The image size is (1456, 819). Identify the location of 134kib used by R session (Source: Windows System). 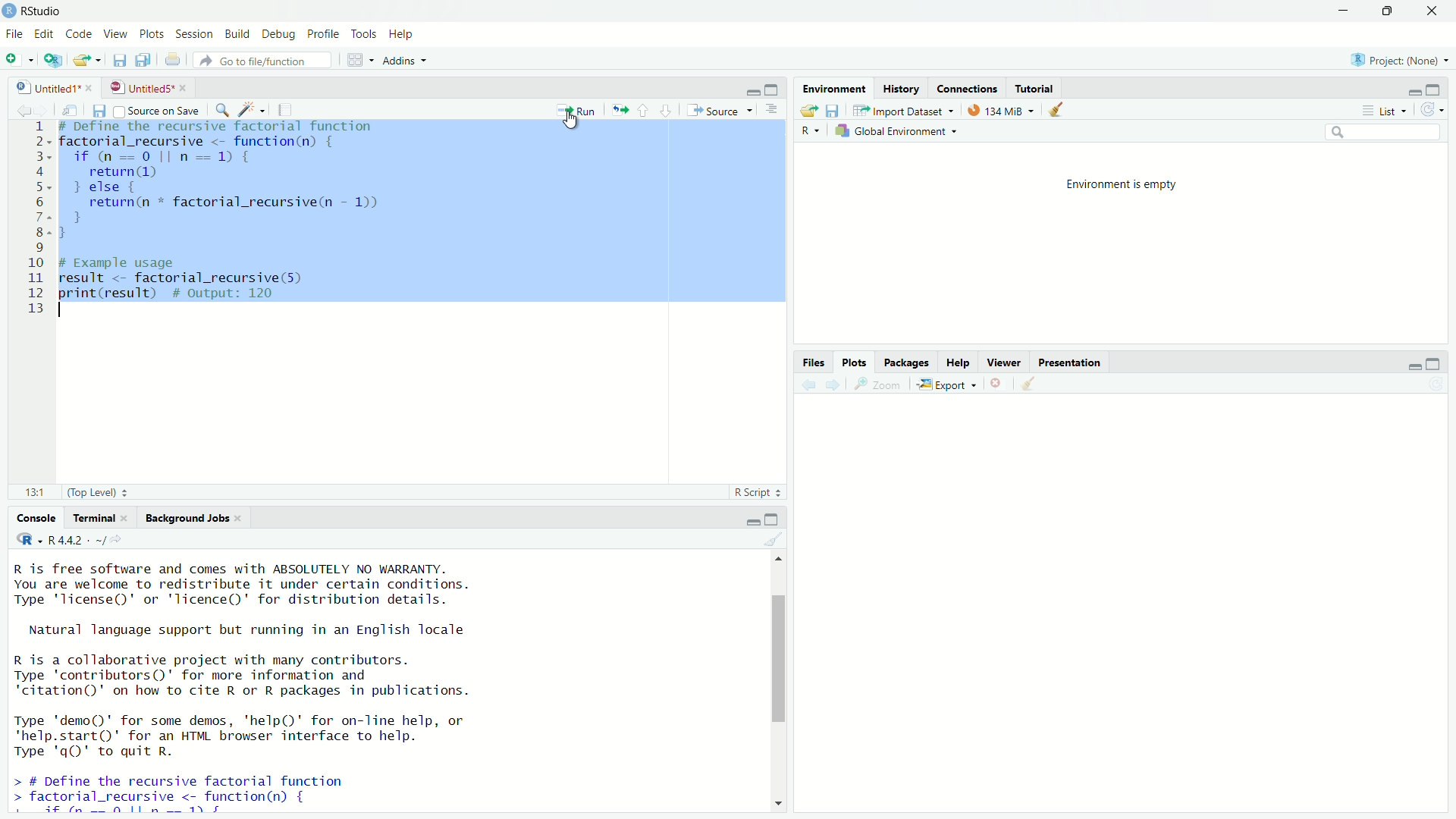
(1005, 108).